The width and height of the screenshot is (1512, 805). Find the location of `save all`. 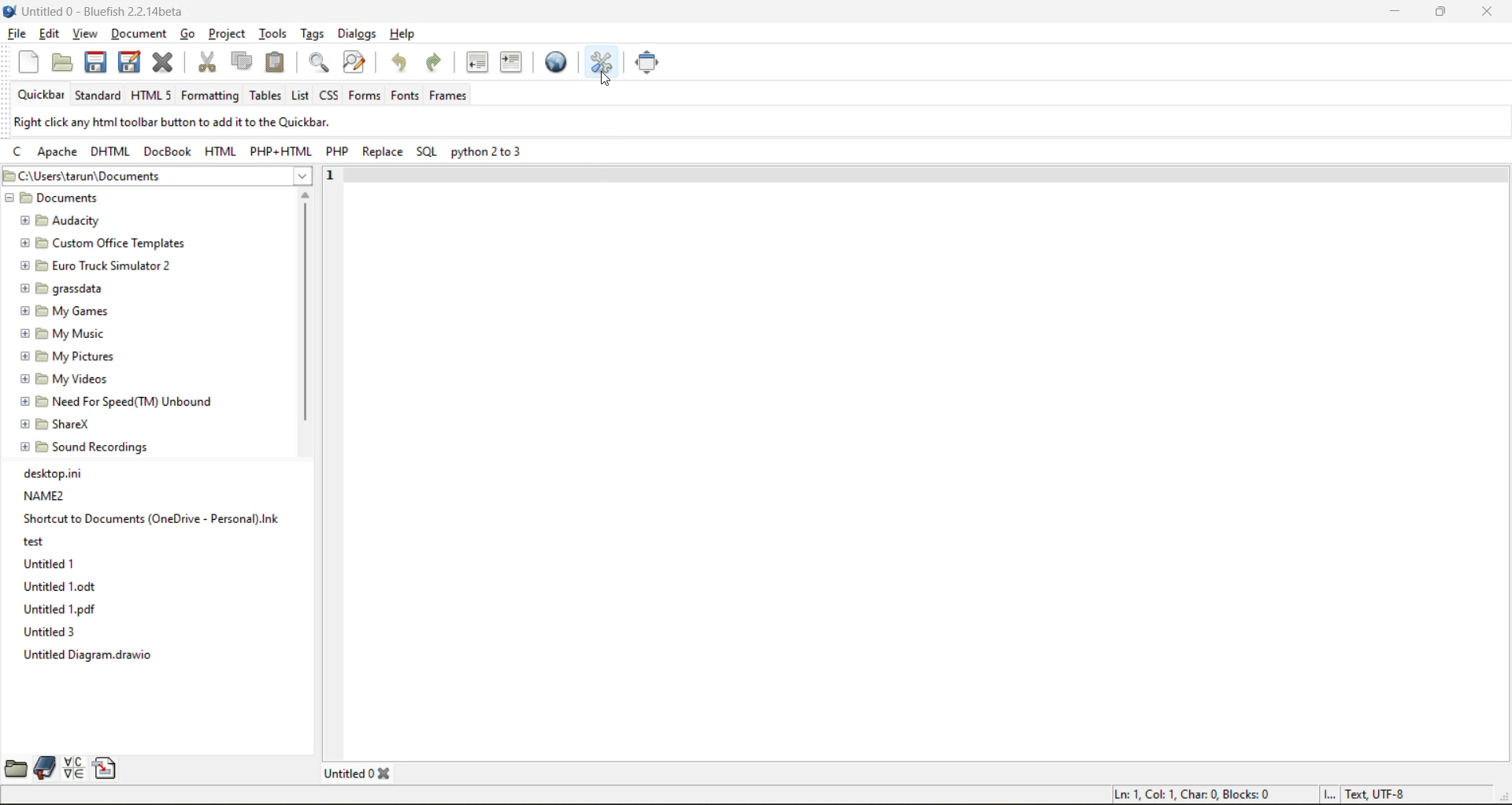

save all is located at coordinates (128, 61).